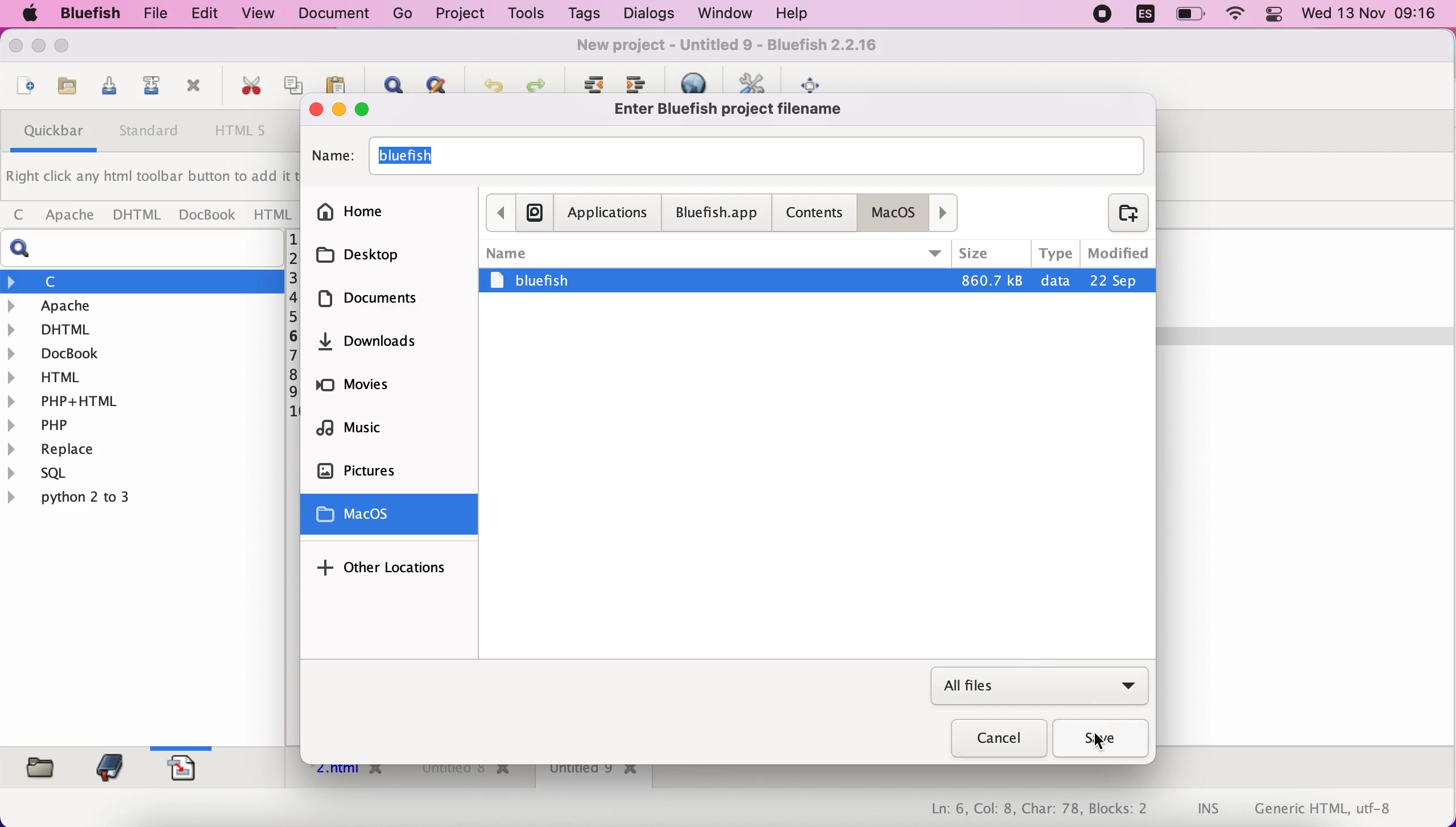 This screenshot has height=827, width=1456. I want to click on title, so click(734, 47).